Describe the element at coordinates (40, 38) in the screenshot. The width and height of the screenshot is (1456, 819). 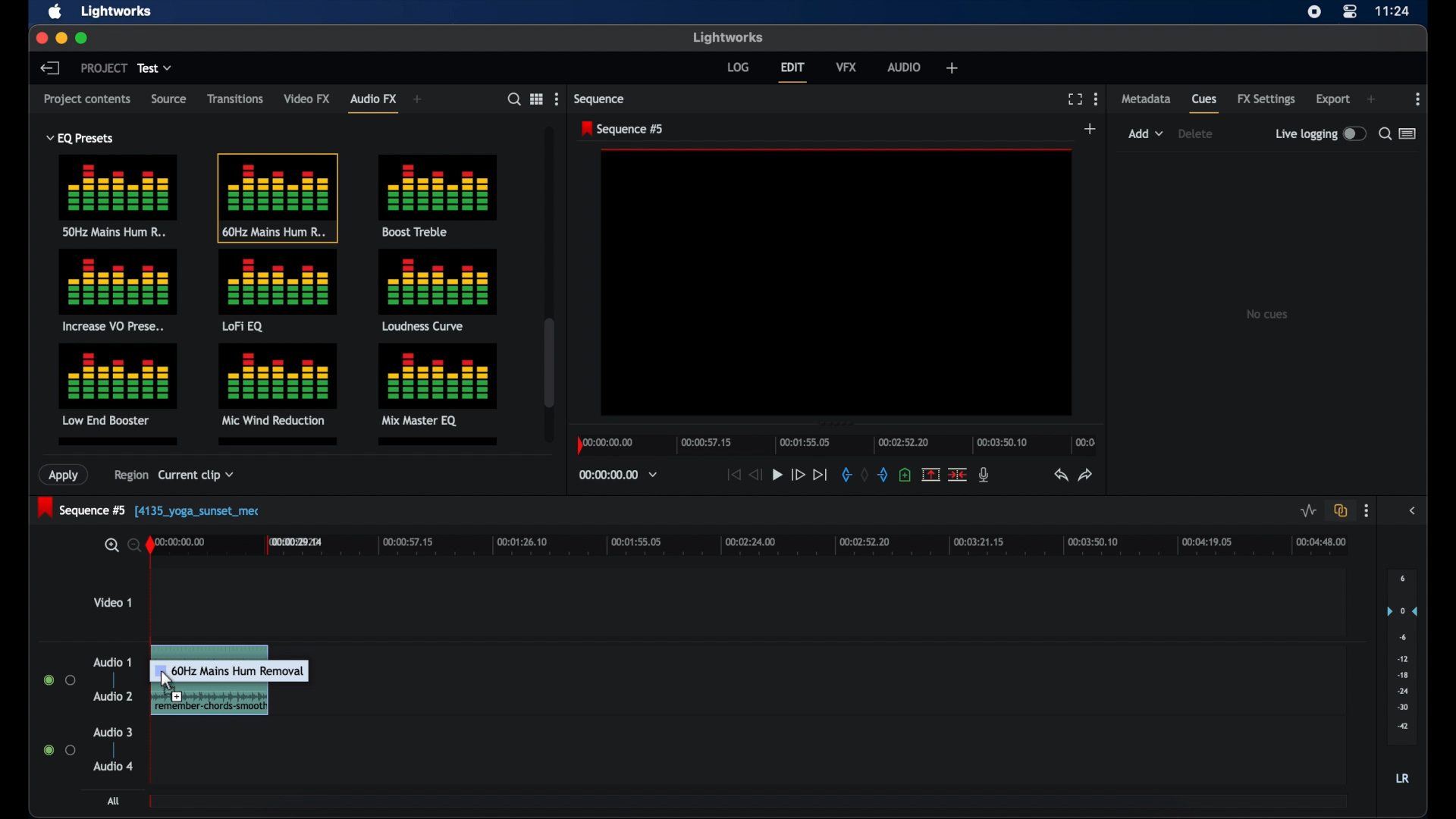
I see `close` at that location.